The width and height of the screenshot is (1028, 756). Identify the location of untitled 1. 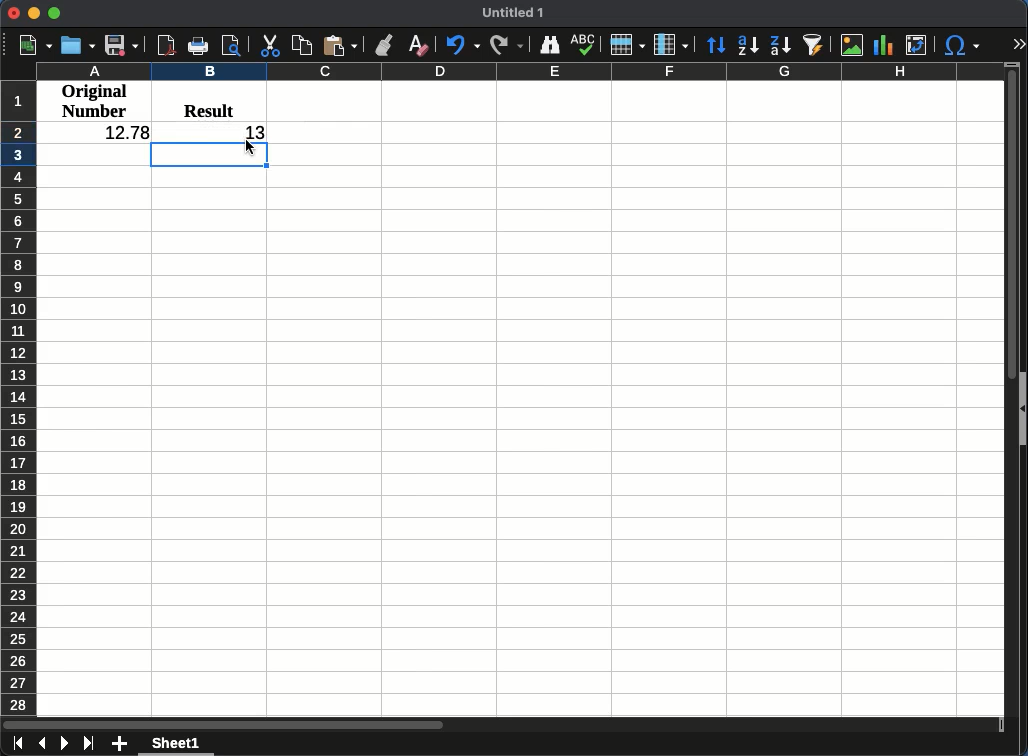
(515, 12).